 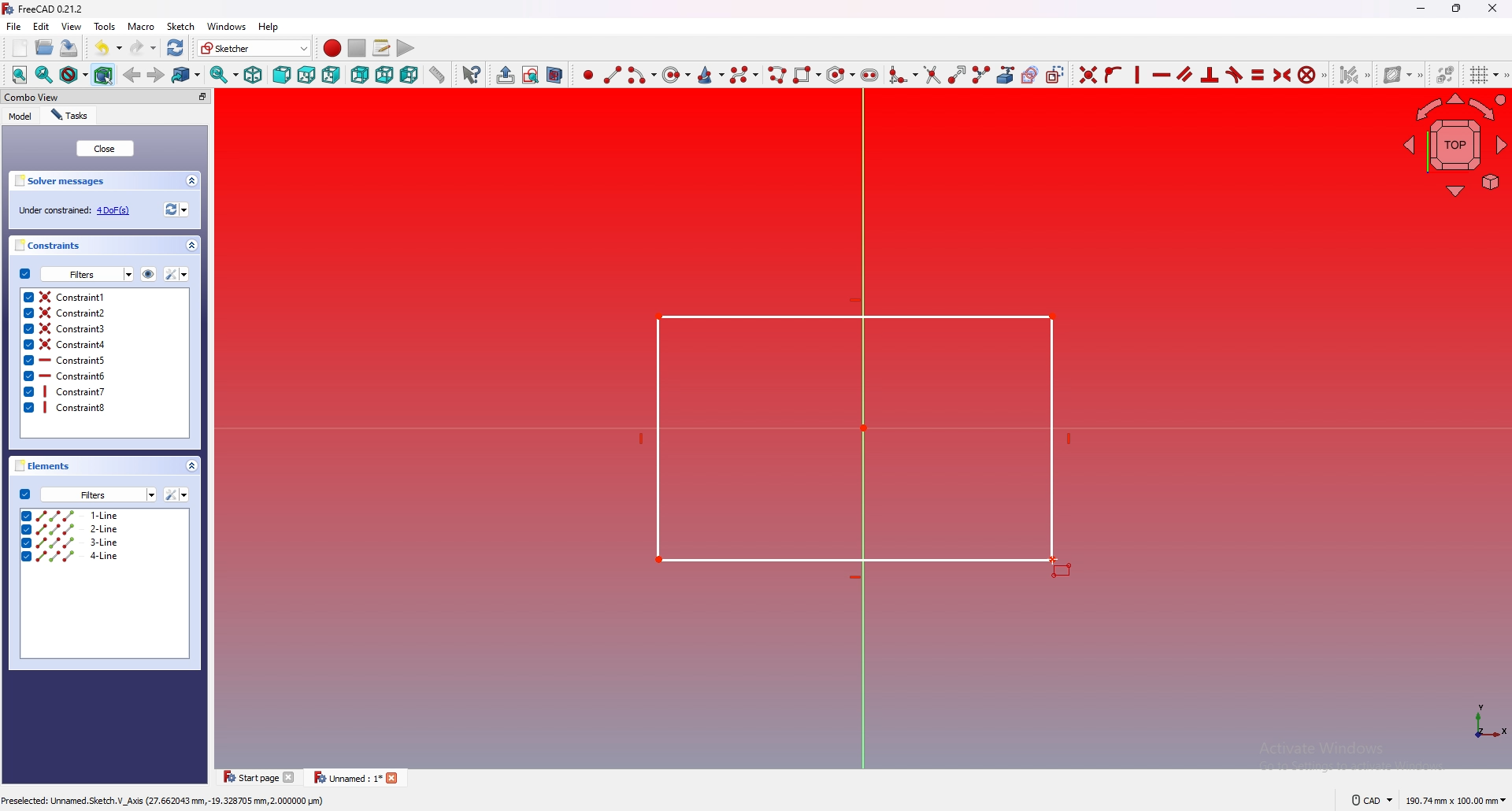 What do you see at coordinates (1210, 74) in the screenshot?
I see `constraint perpendicular` at bounding box center [1210, 74].